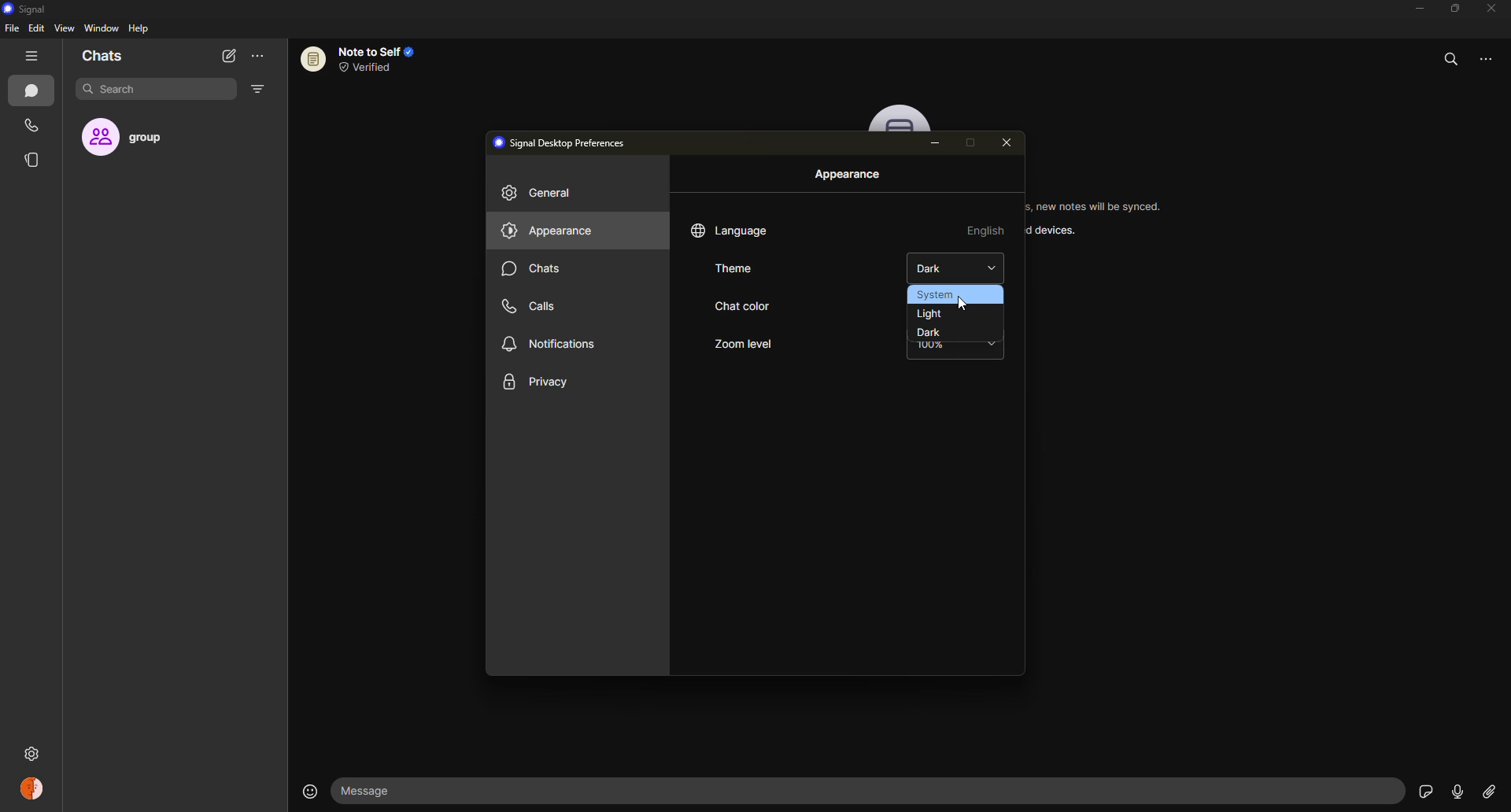 The image size is (1511, 812). I want to click on emoji, so click(305, 789).